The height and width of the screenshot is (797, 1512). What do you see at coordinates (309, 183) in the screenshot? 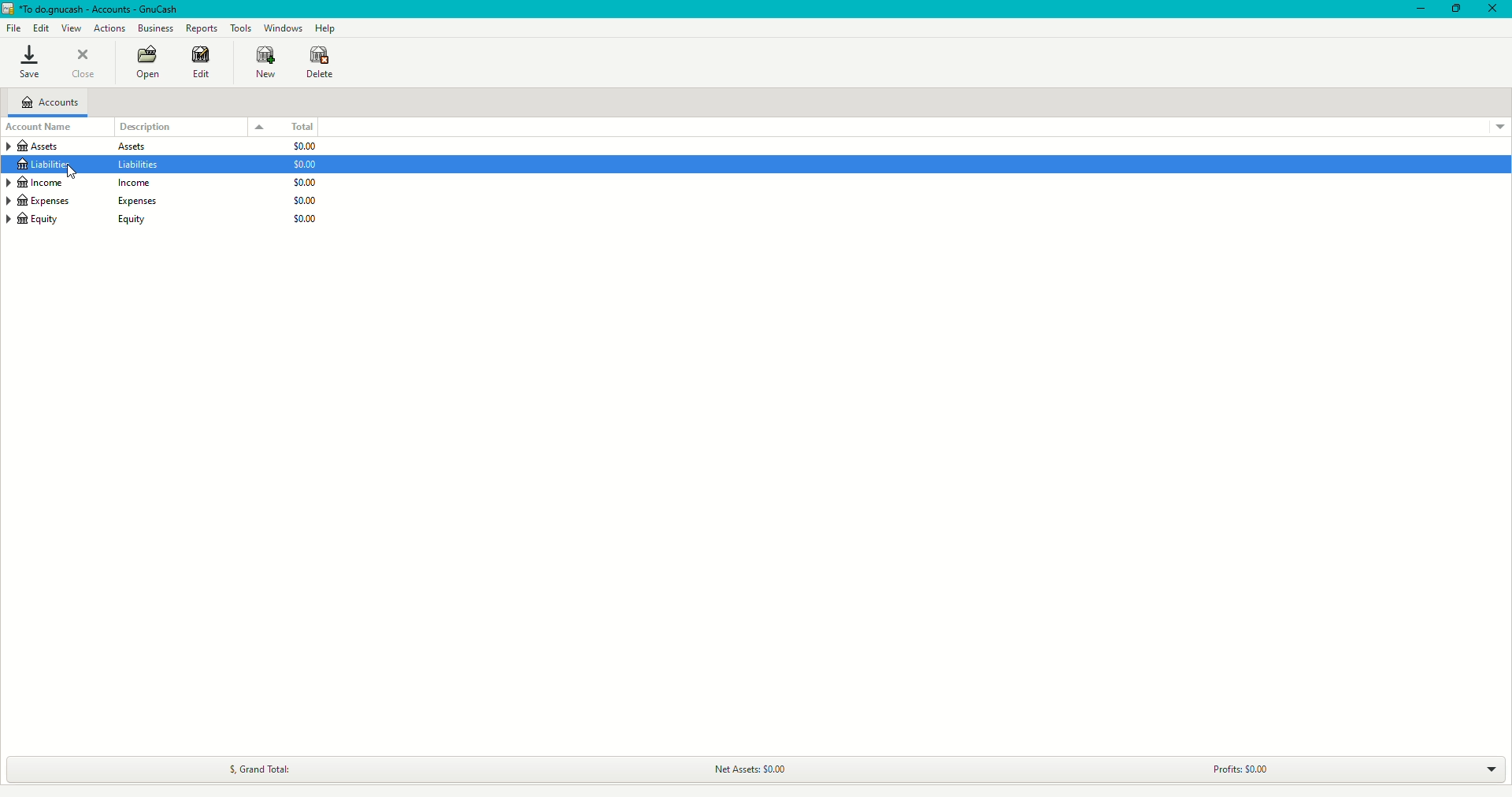
I see `$0` at bounding box center [309, 183].